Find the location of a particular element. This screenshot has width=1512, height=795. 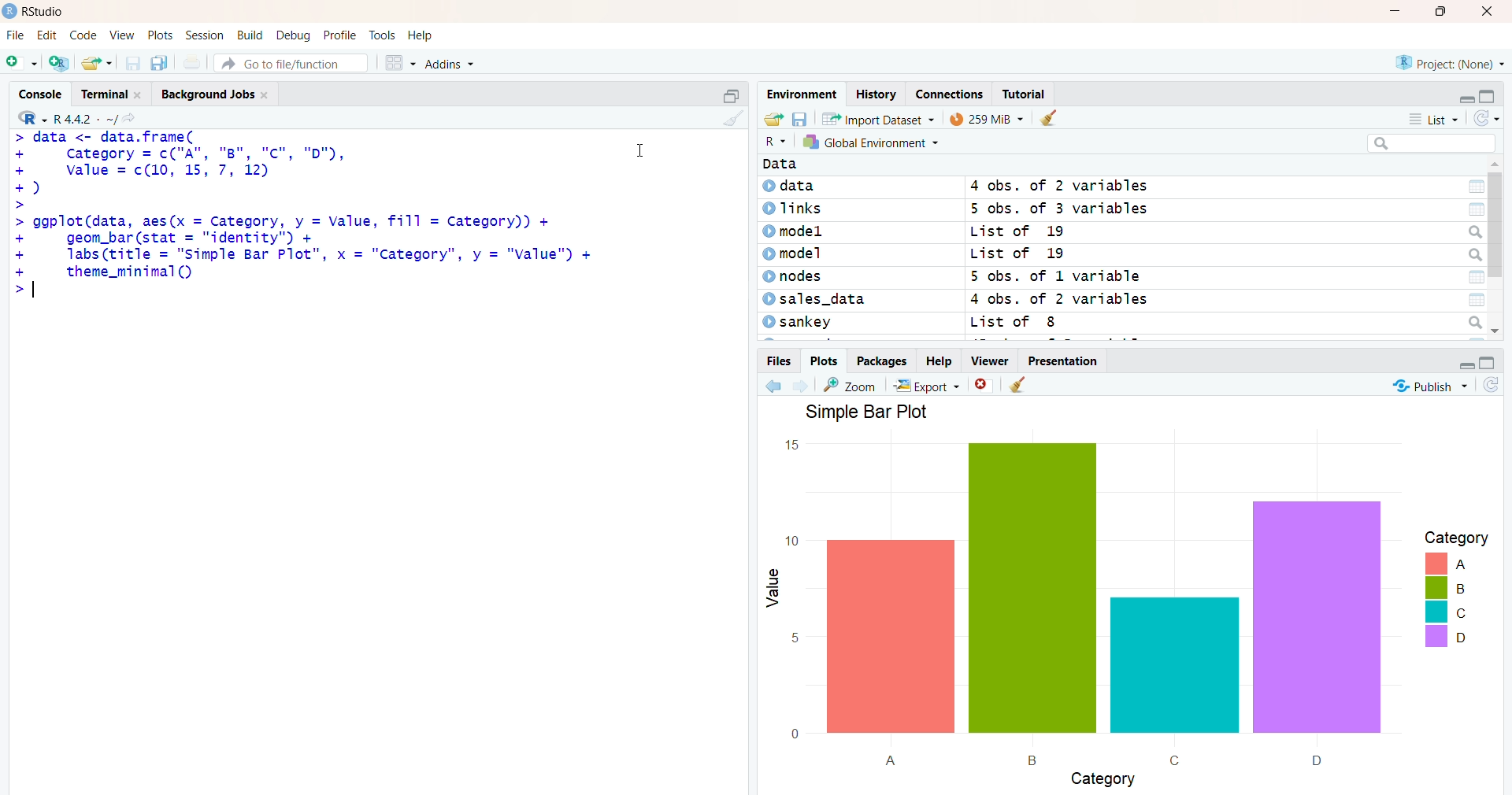

History is located at coordinates (876, 94).